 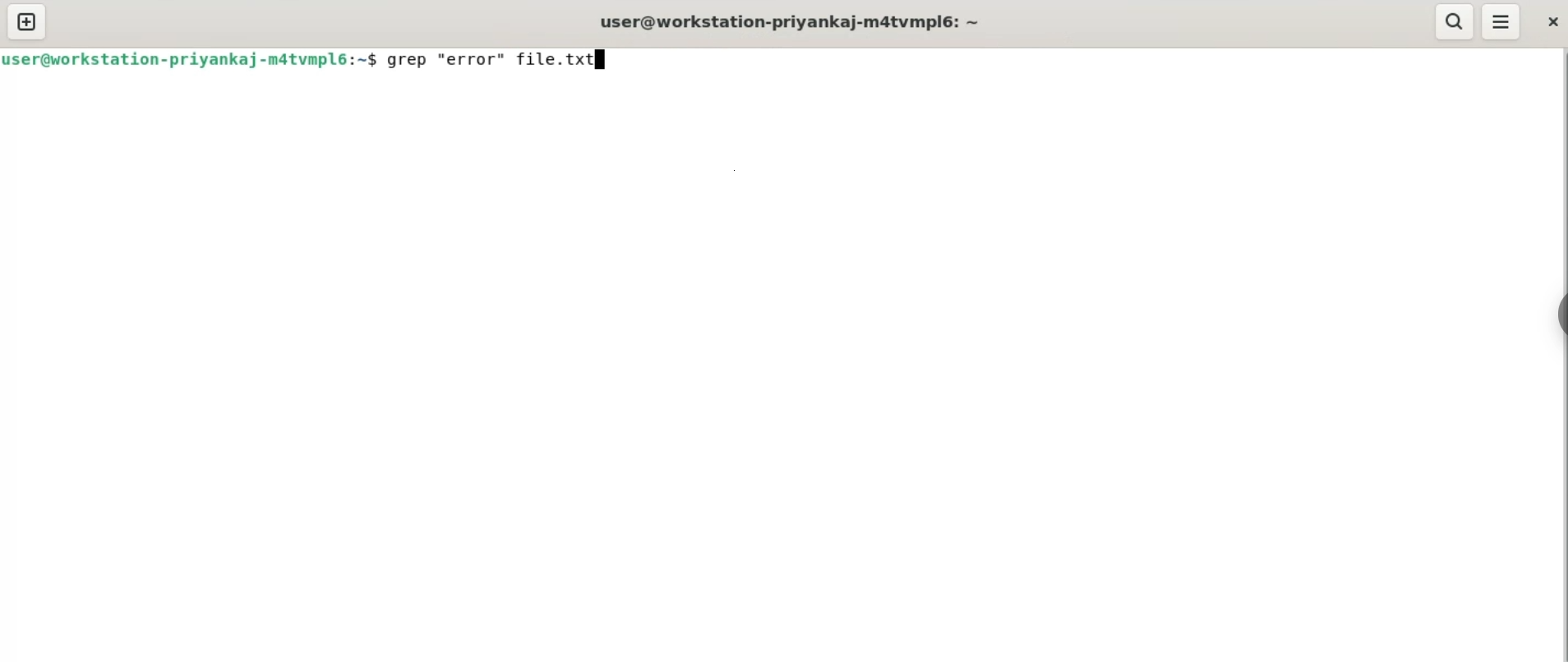 What do you see at coordinates (1499, 23) in the screenshot?
I see `menu` at bounding box center [1499, 23].